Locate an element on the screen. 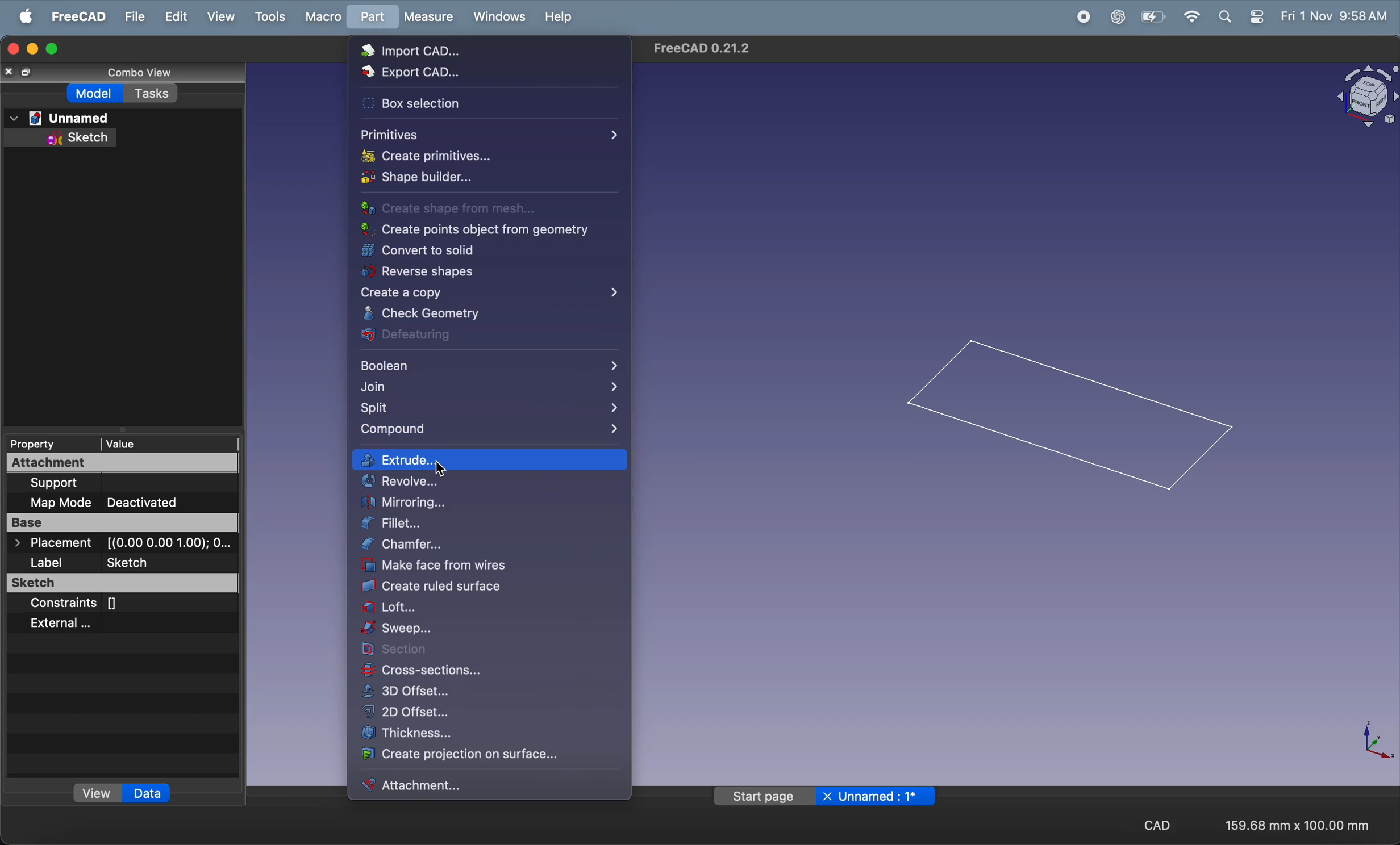  view is located at coordinates (97, 793).